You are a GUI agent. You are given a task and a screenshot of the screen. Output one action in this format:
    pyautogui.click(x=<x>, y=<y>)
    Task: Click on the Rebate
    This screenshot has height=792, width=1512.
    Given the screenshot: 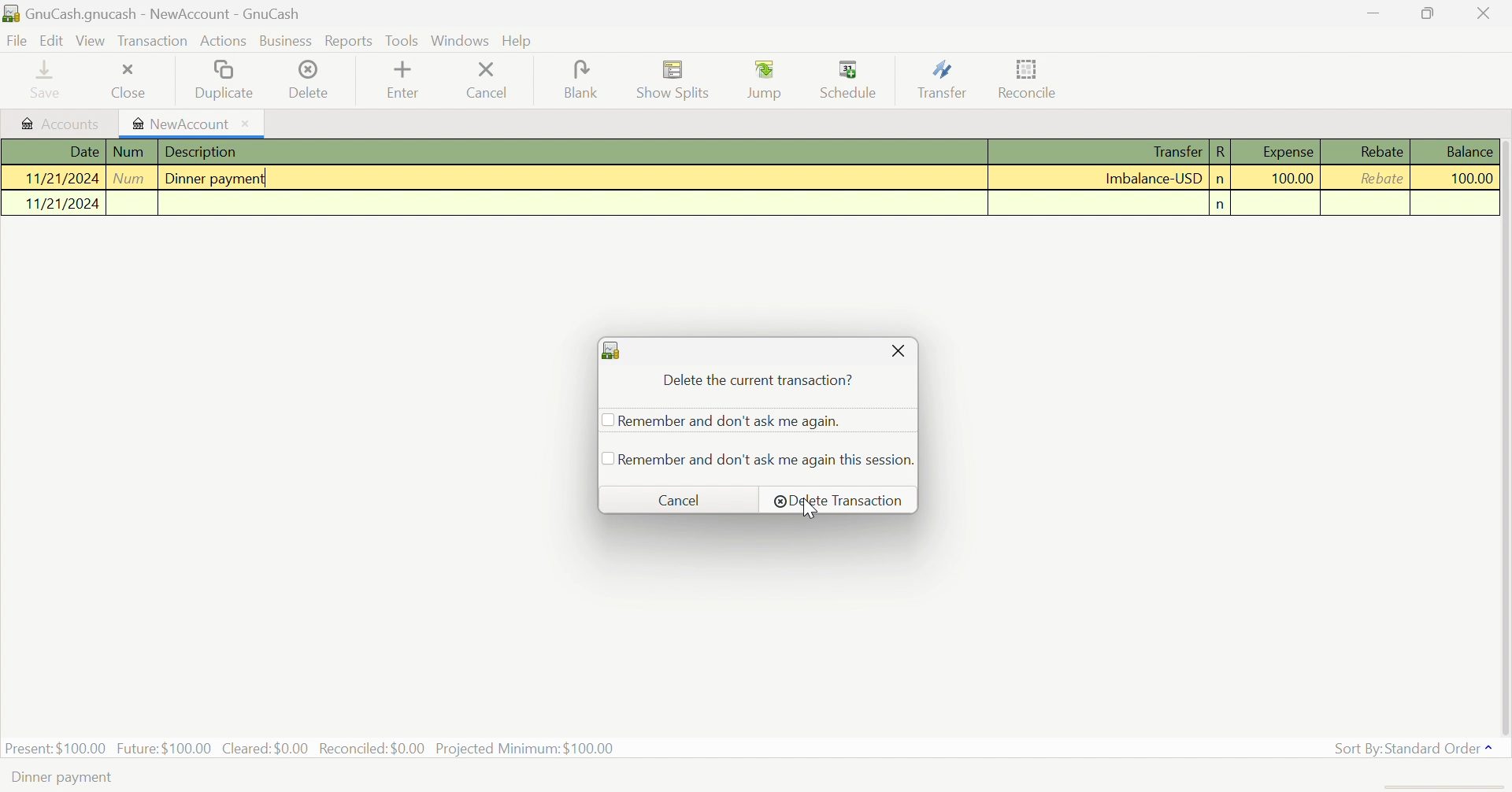 What is the action you would take?
    pyautogui.click(x=1380, y=152)
    